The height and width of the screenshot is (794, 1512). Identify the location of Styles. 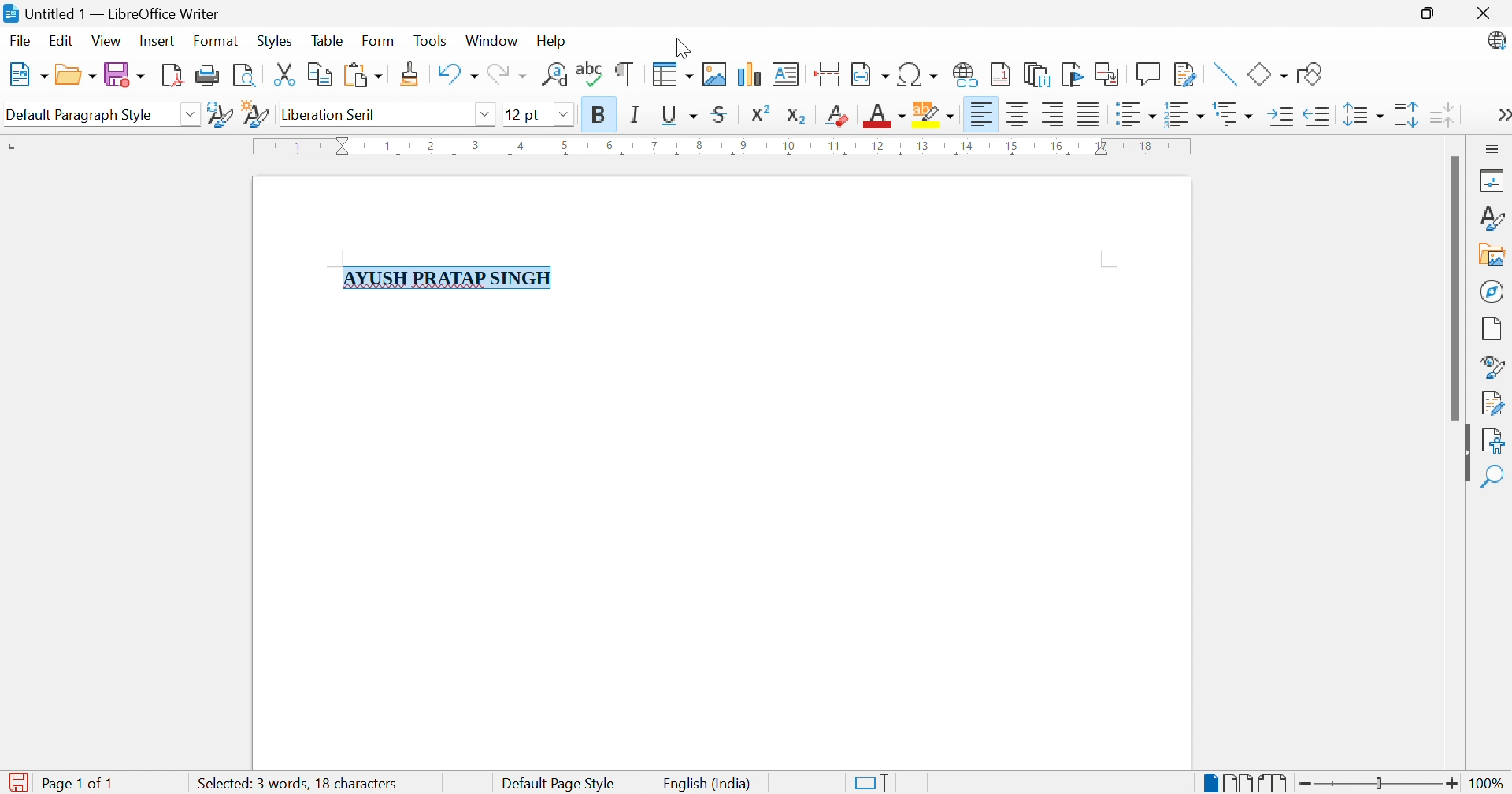
(273, 42).